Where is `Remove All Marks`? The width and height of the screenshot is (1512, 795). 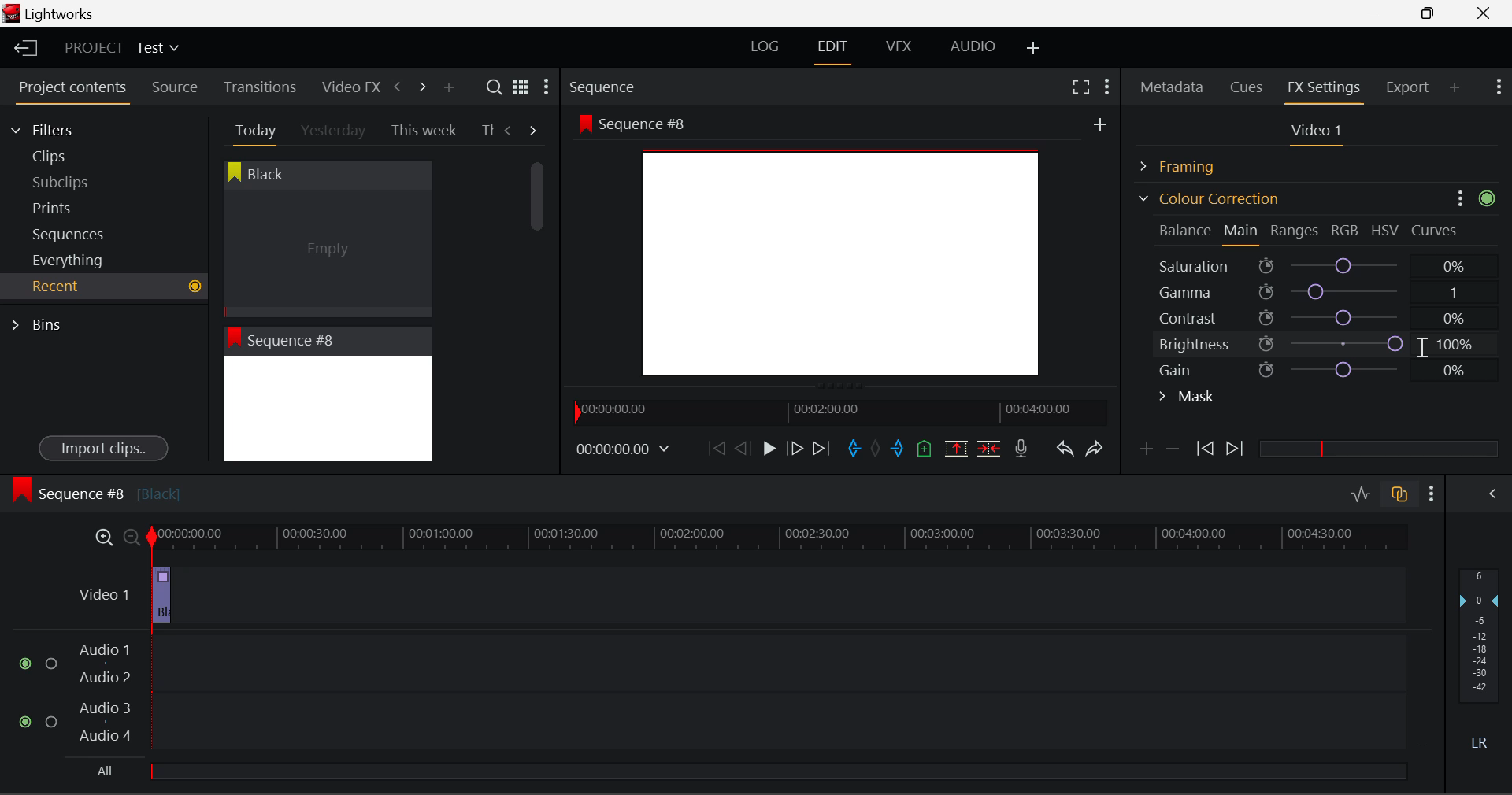 Remove All Marks is located at coordinates (877, 450).